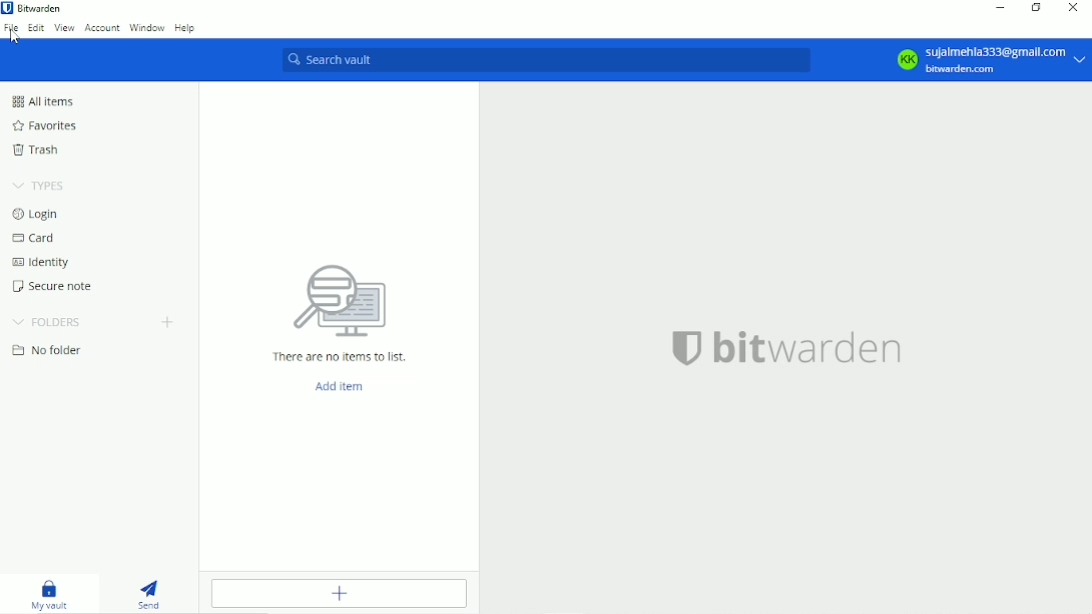  I want to click on No folder, so click(49, 350).